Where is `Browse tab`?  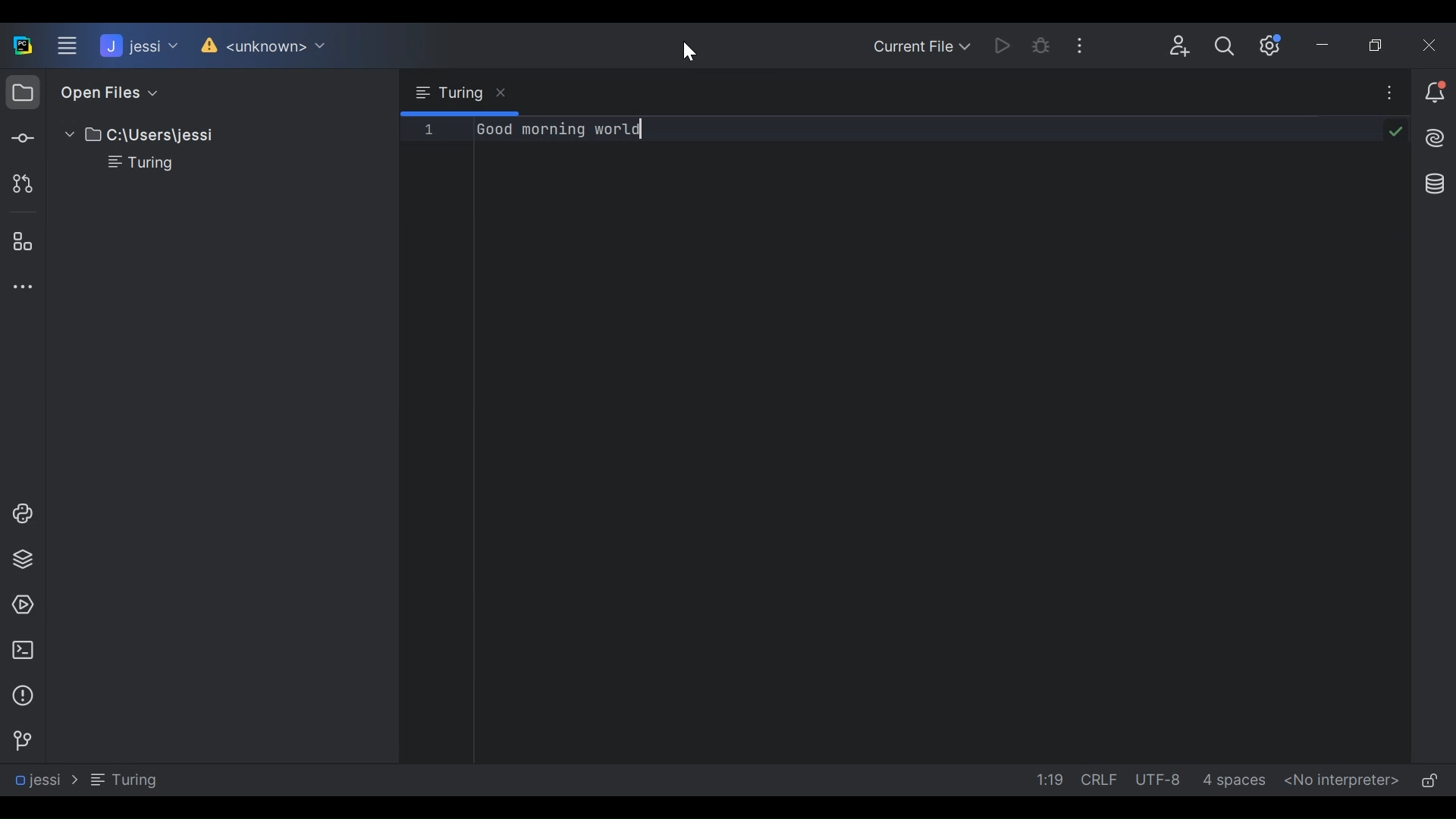
Browse tab is located at coordinates (460, 93).